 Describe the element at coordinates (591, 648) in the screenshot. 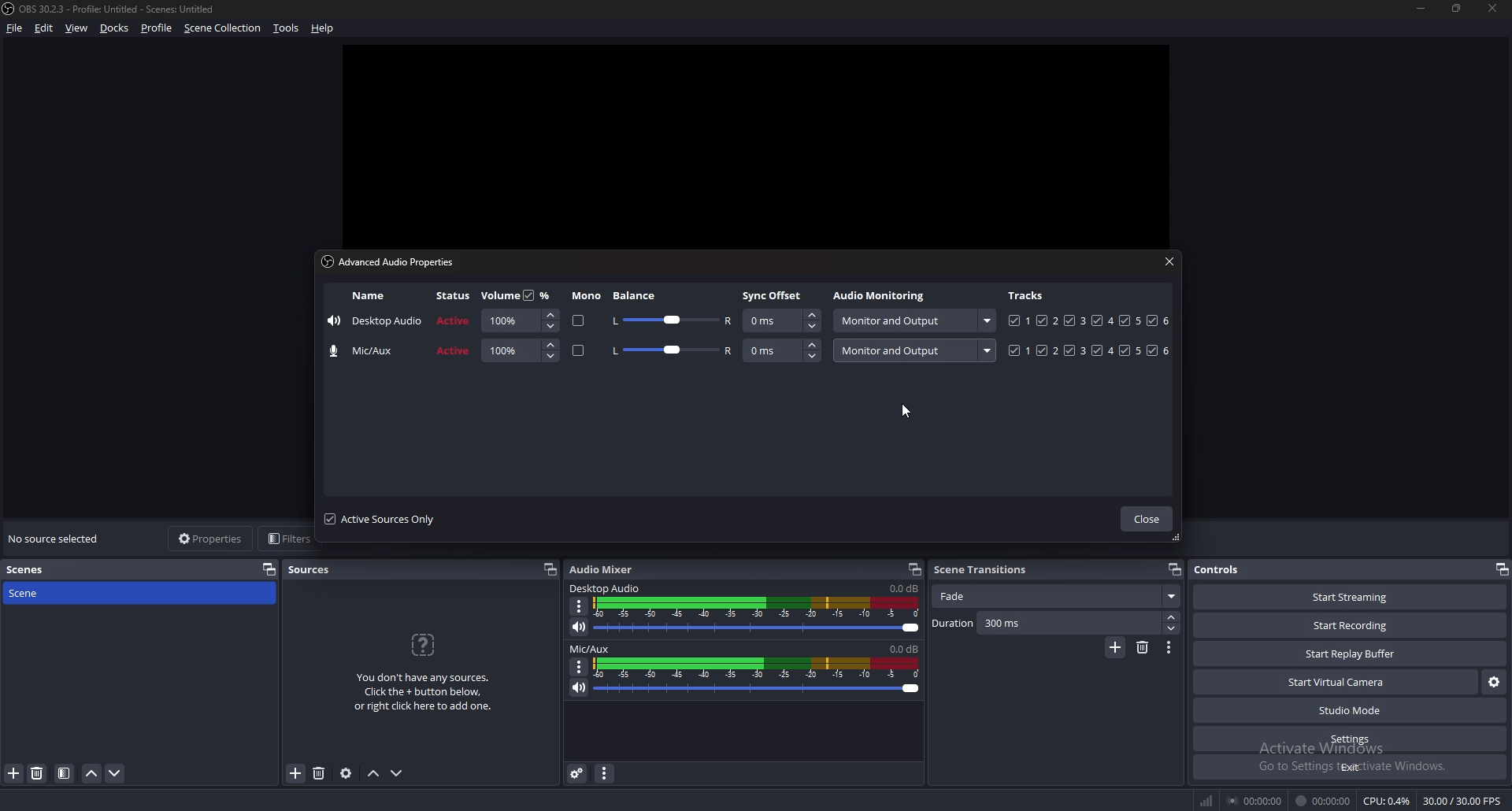

I see `mic/aux` at that location.